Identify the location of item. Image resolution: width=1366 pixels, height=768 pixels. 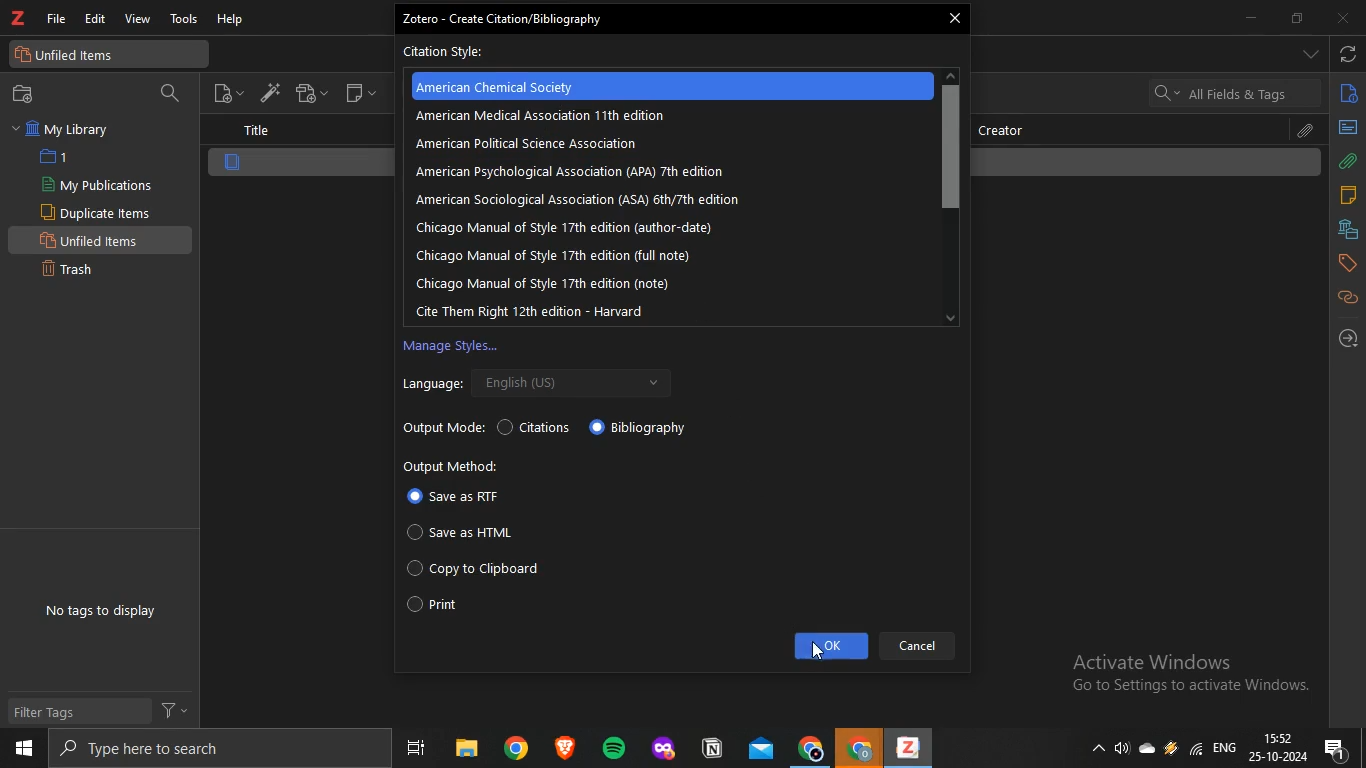
(233, 163).